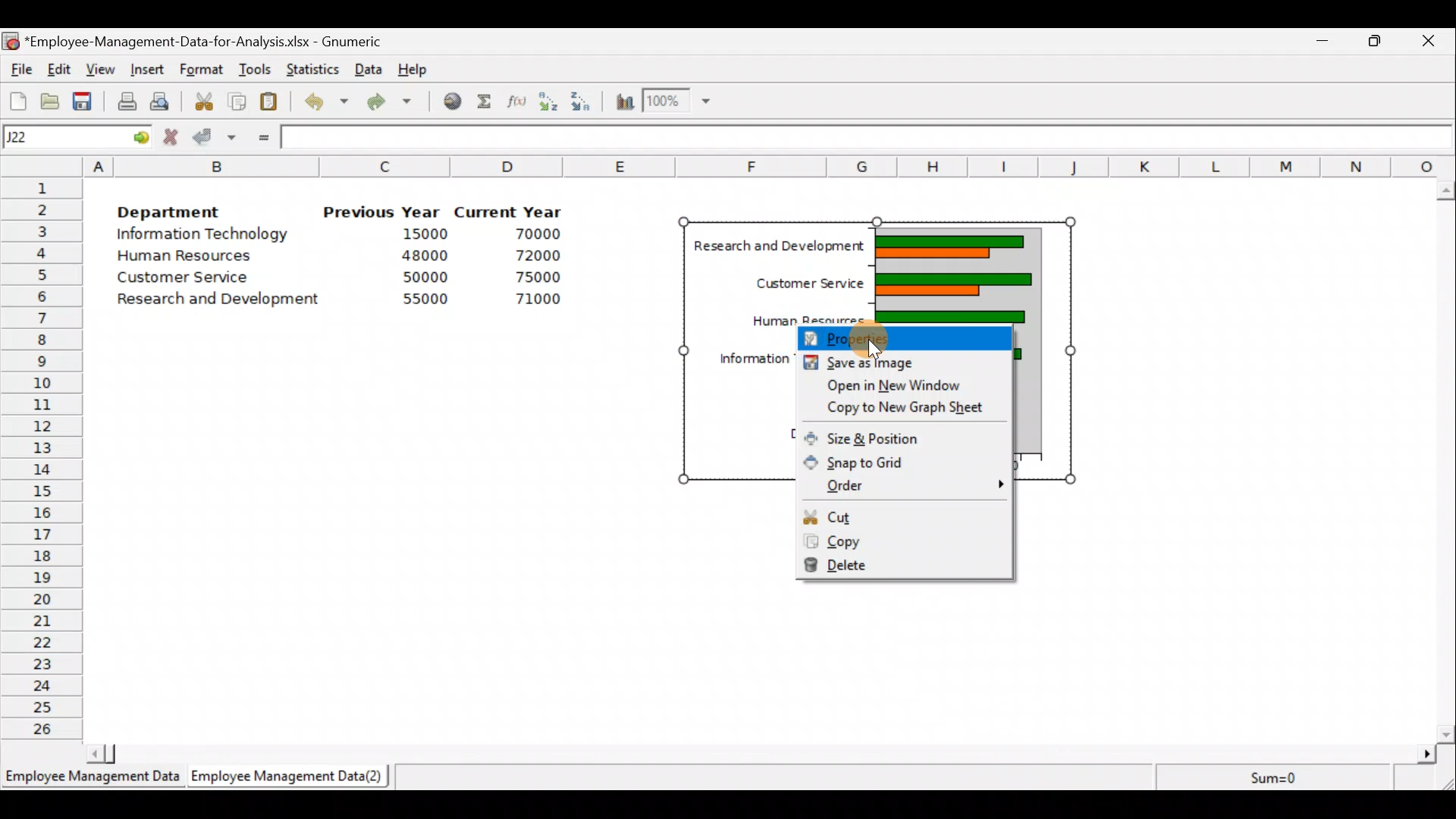 The image size is (1456, 819). I want to click on Open in new window, so click(913, 383).